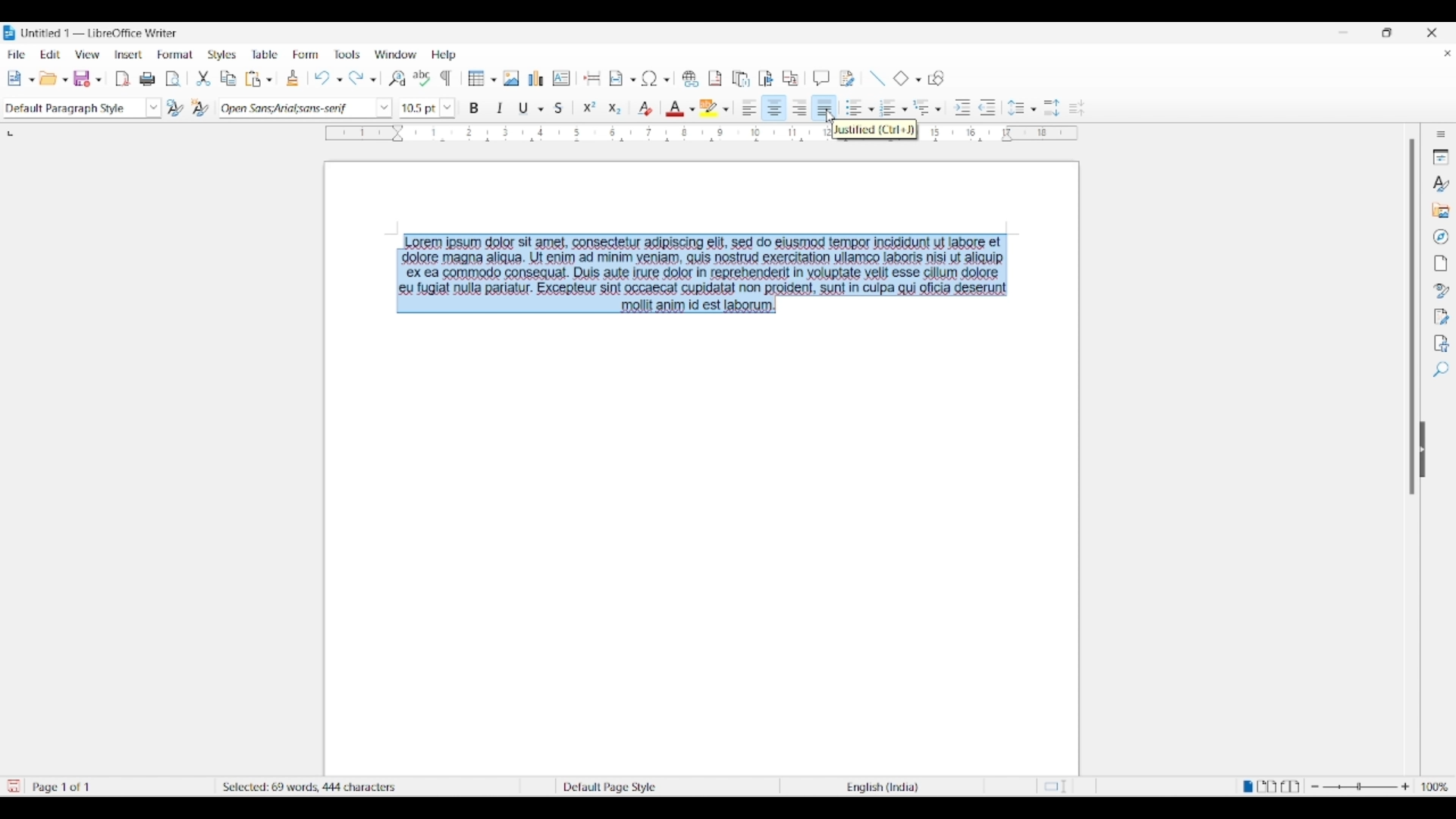 This screenshot has height=819, width=1456. Describe the element at coordinates (1315, 786) in the screenshot. I see `Zoom out` at that location.